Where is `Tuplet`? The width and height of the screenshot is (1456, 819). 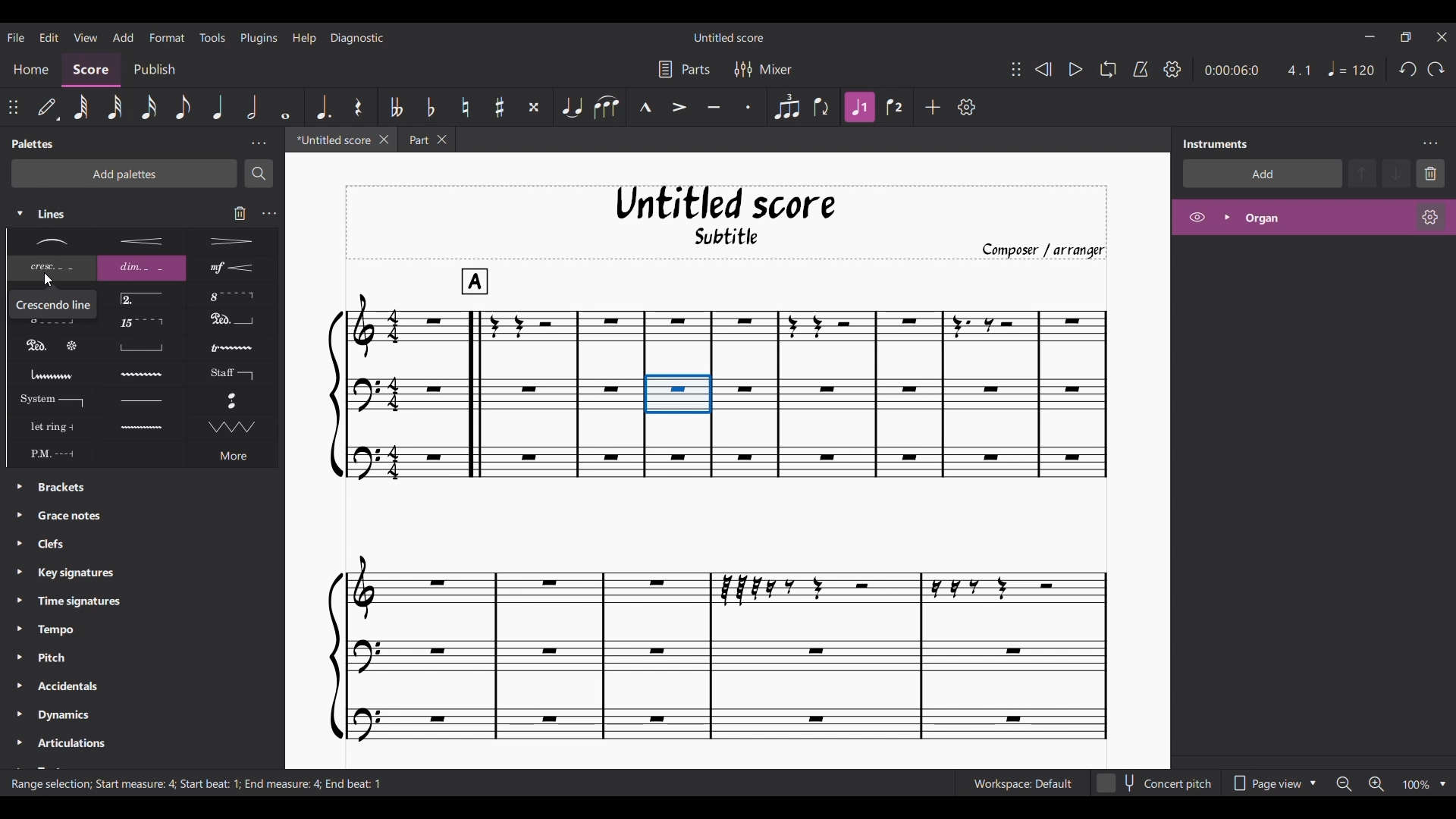
Tuplet is located at coordinates (786, 108).